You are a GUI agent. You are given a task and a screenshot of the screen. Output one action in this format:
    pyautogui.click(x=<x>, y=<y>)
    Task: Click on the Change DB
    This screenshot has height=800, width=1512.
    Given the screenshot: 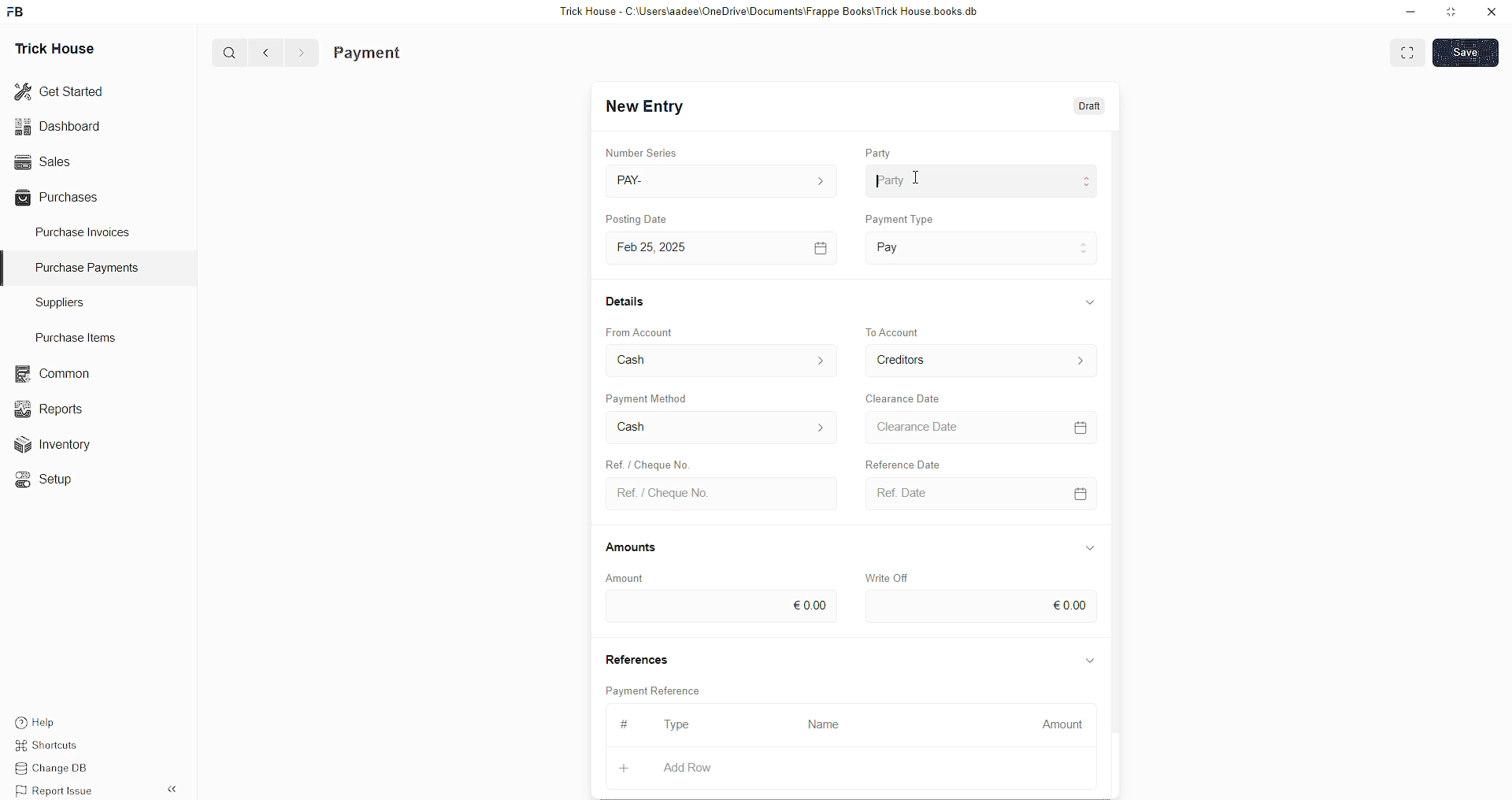 What is the action you would take?
    pyautogui.click(x=60, y=769)
    